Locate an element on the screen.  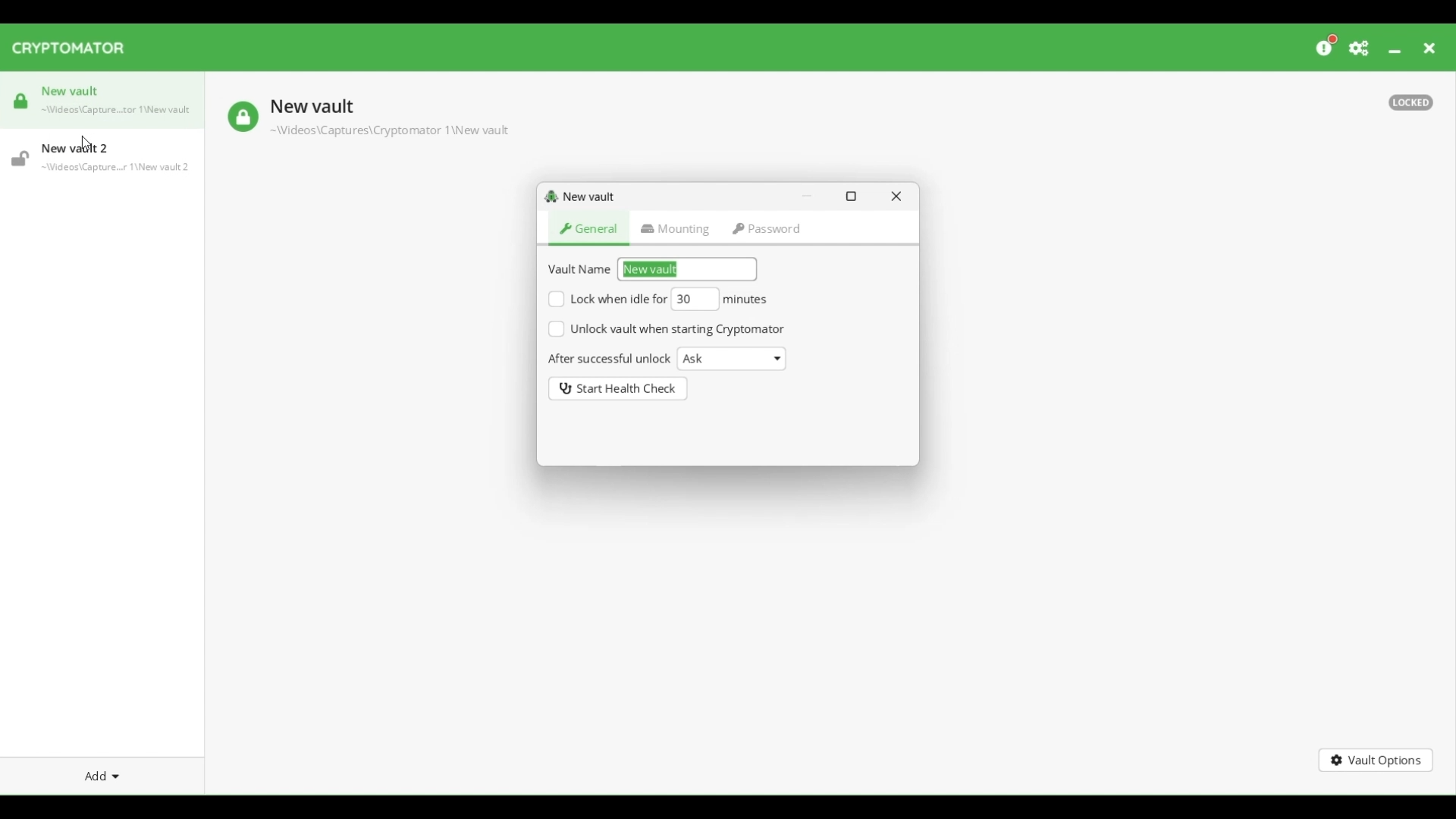
General options selected is located at coordinates (589, 231).